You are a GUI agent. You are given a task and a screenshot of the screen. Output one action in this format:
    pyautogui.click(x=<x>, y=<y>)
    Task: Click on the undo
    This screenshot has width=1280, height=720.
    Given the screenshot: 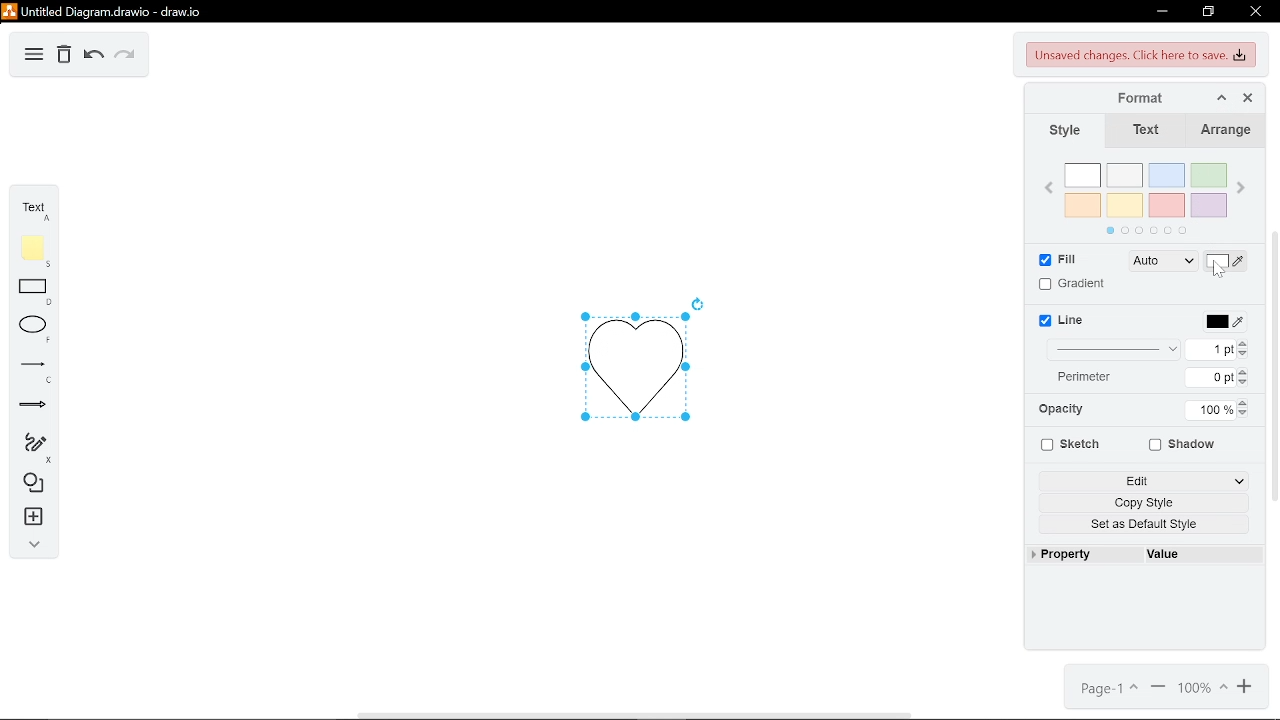 What is the action you would take?
    pyautogui.click(x=93, y=57)
    